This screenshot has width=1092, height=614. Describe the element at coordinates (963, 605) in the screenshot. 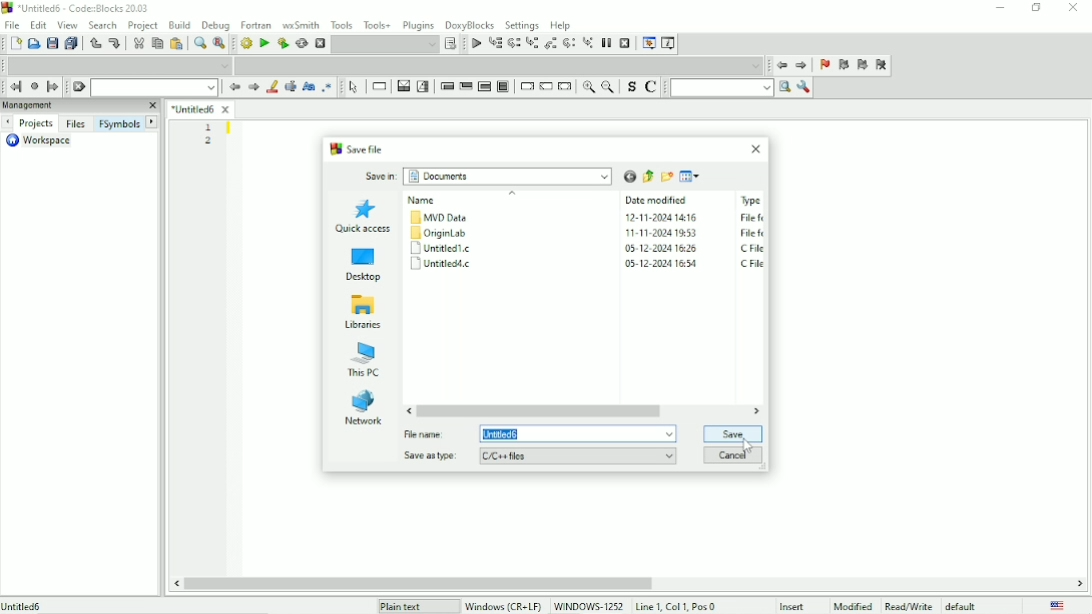

I see `default` at that location.